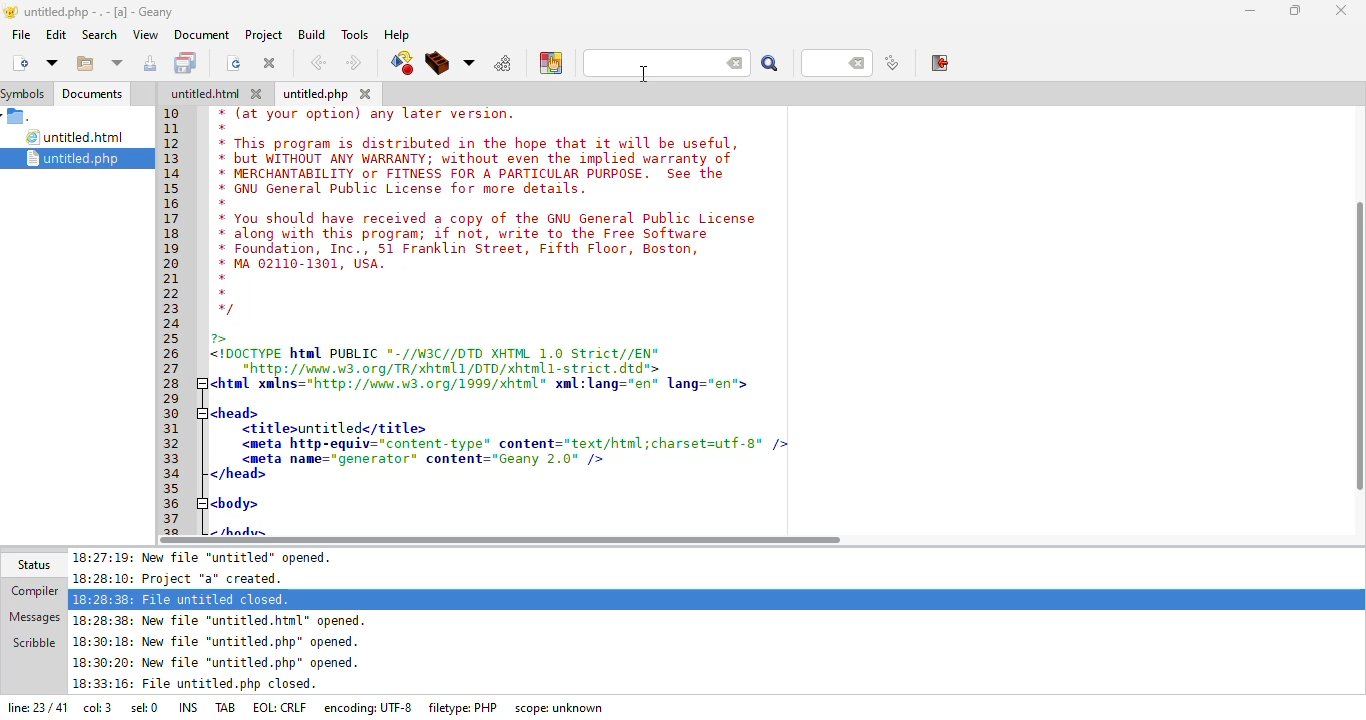  I want to click on save as, so click(152, 63).